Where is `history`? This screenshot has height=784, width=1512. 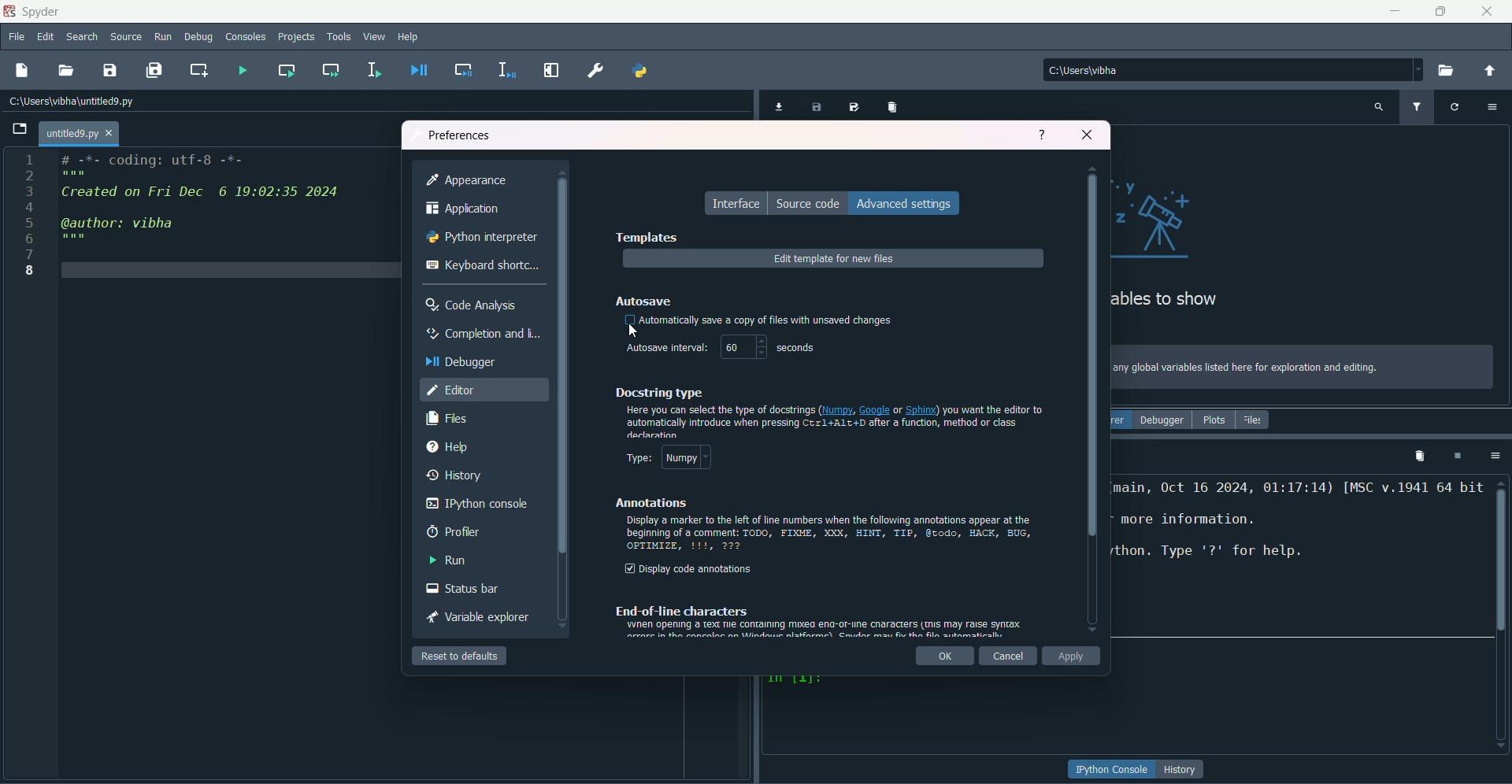
history is located at coordinates (451, 477).